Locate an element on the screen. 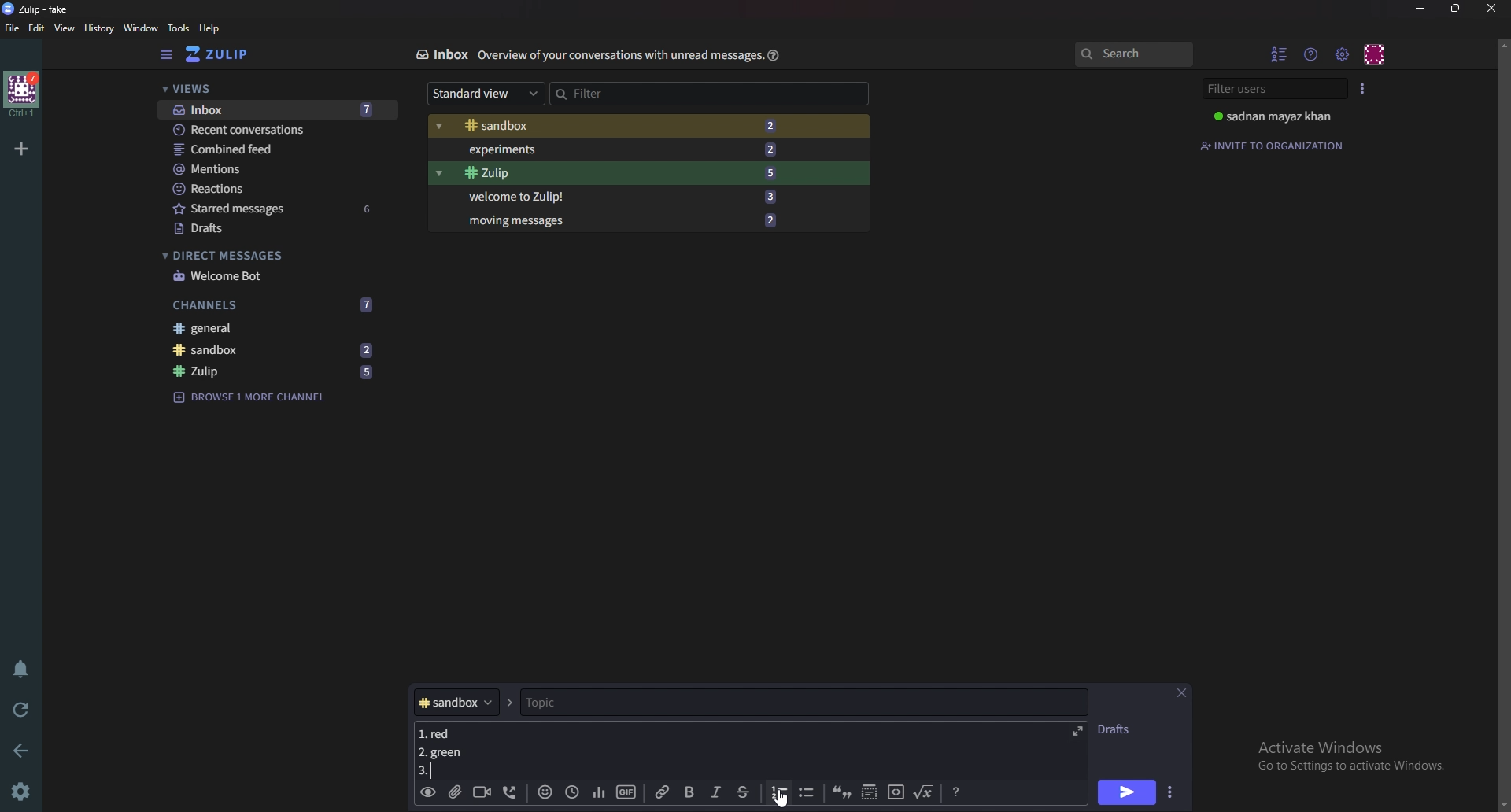 The height and width of the screenshot is (812, 1511). code is located at coordinates (895, 794).